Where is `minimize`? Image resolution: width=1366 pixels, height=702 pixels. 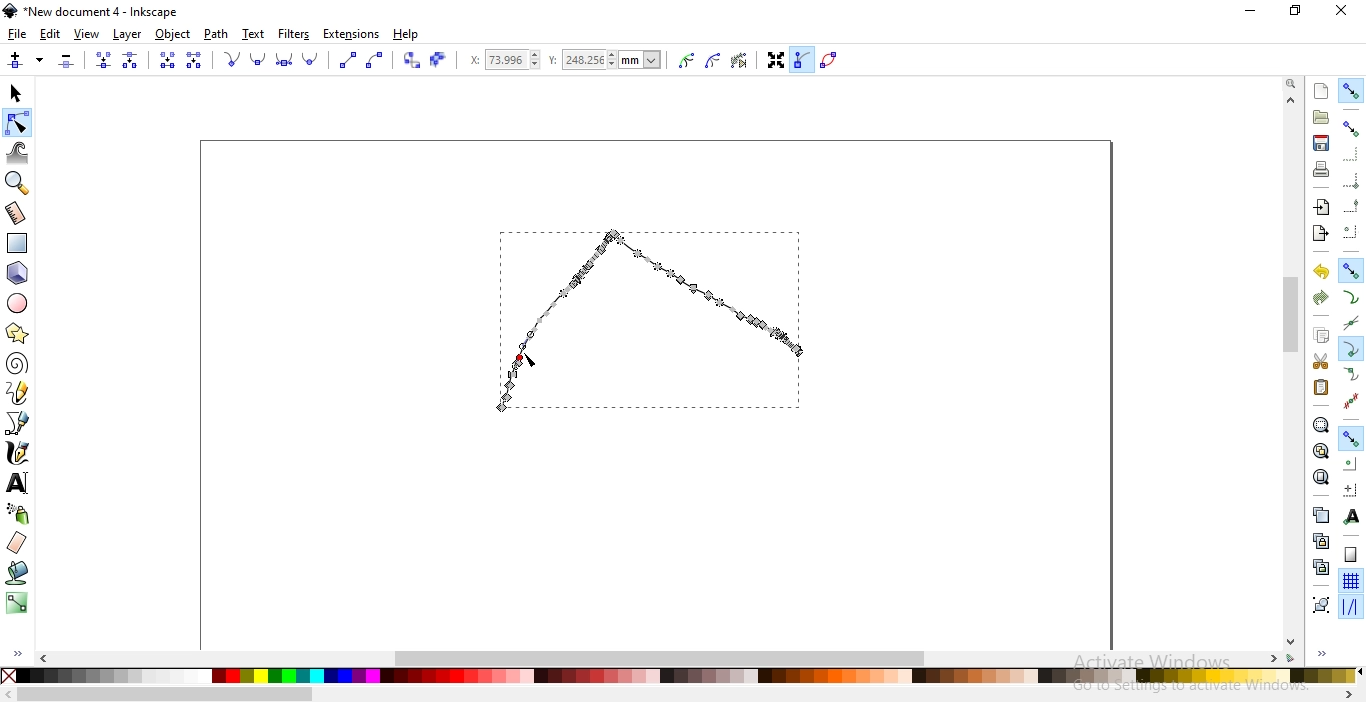
minimize is located at coordinates (1252, 9).